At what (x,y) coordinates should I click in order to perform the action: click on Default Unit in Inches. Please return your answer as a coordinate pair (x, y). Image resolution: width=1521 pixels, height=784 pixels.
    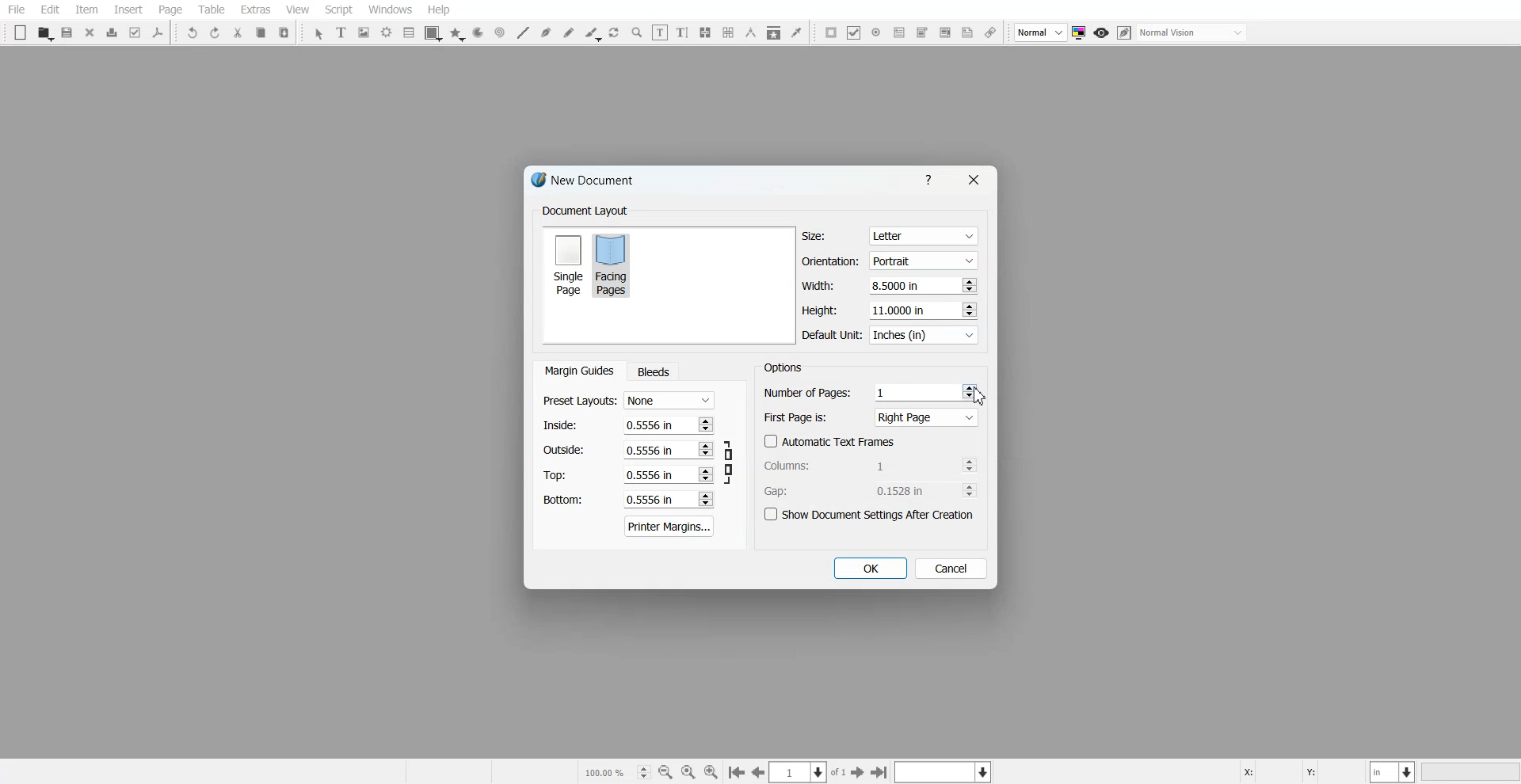
    Looking at the image, I should click on (891, 336).